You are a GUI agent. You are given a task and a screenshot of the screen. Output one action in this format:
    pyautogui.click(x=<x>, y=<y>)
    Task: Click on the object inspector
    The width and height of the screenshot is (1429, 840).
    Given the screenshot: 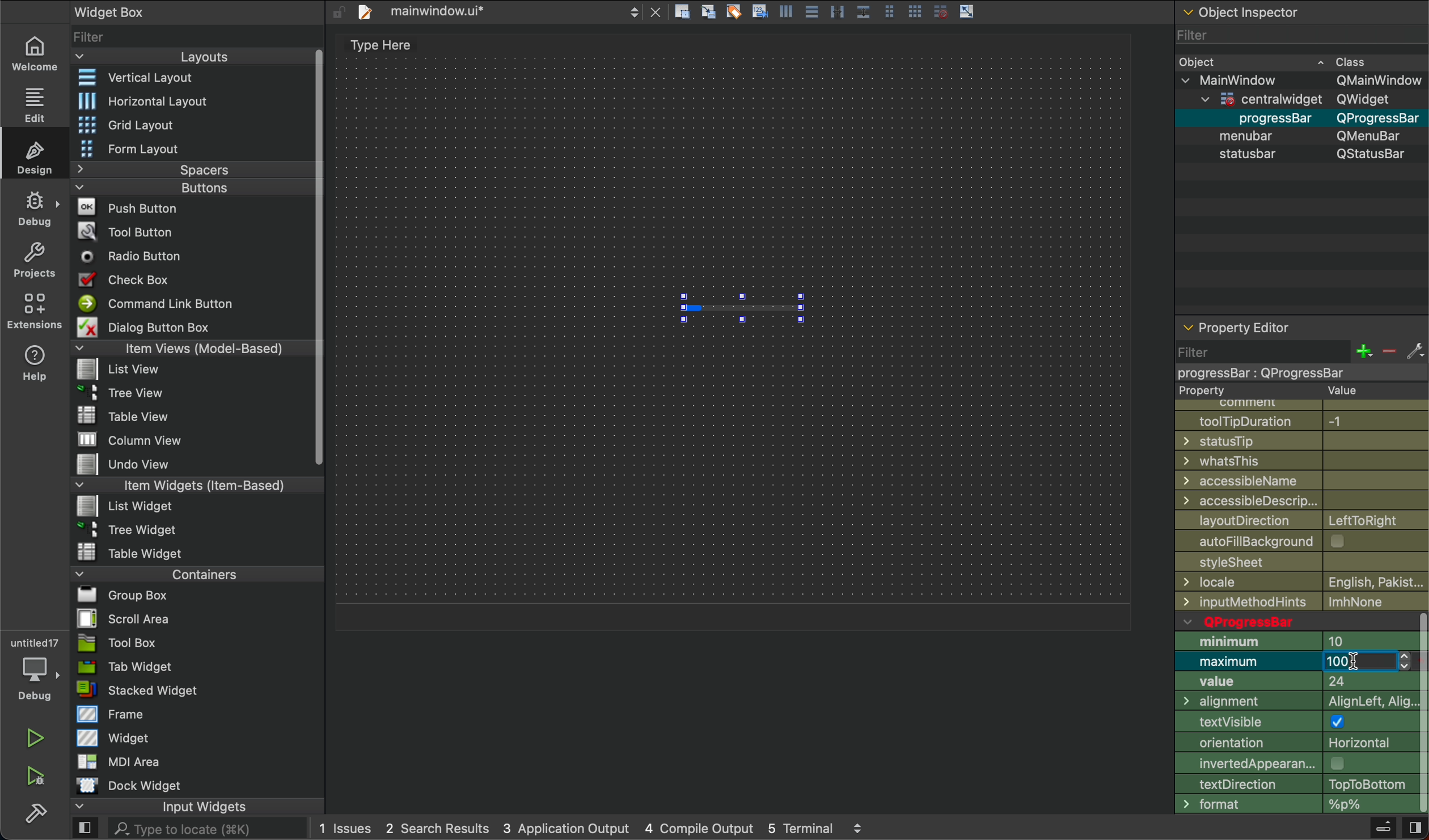 What is the action you would take?
    pyautogui.click(x=1300, y=12)
    